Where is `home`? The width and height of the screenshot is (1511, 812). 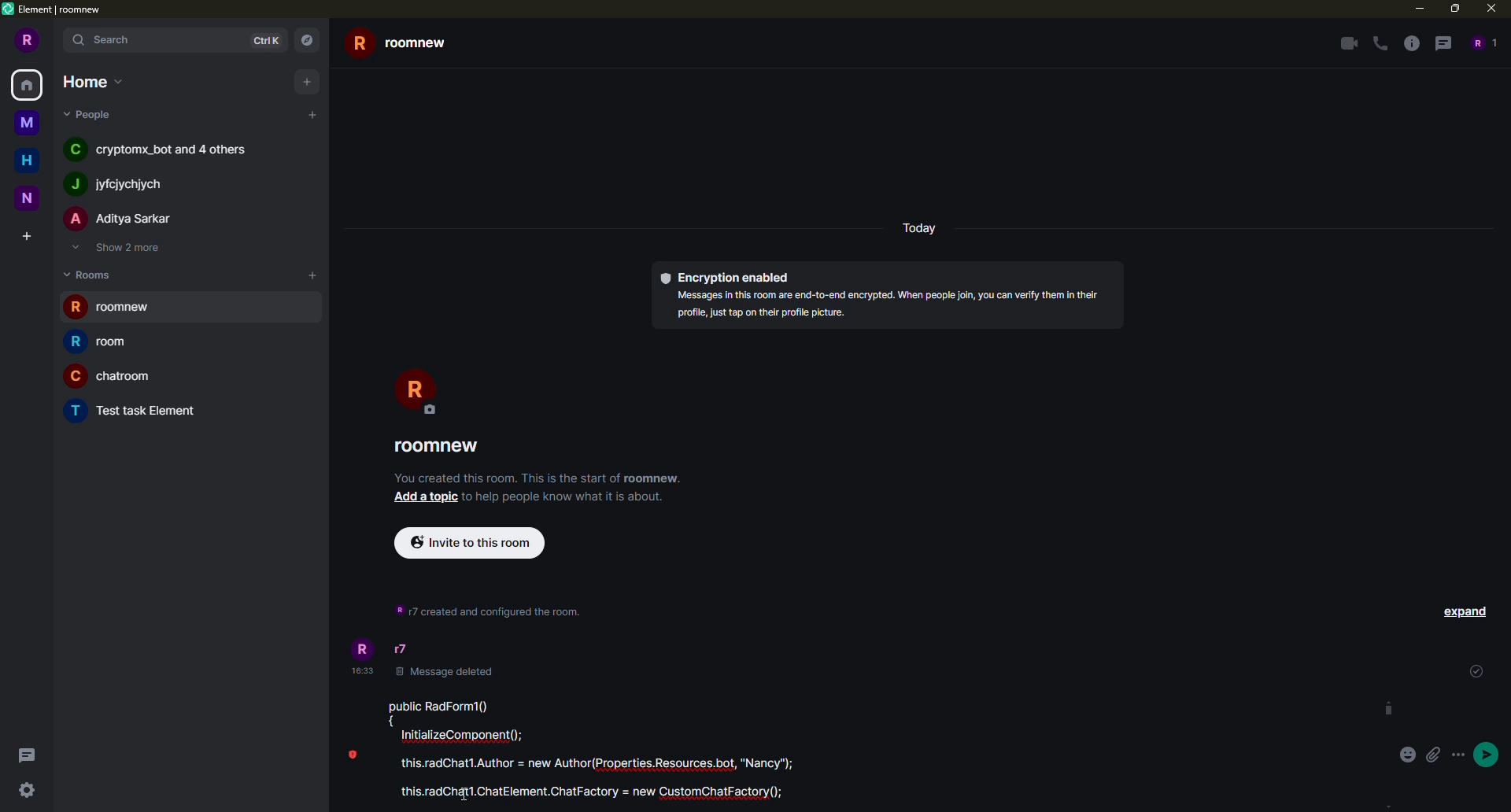 home is located at coordinates (100, 81).